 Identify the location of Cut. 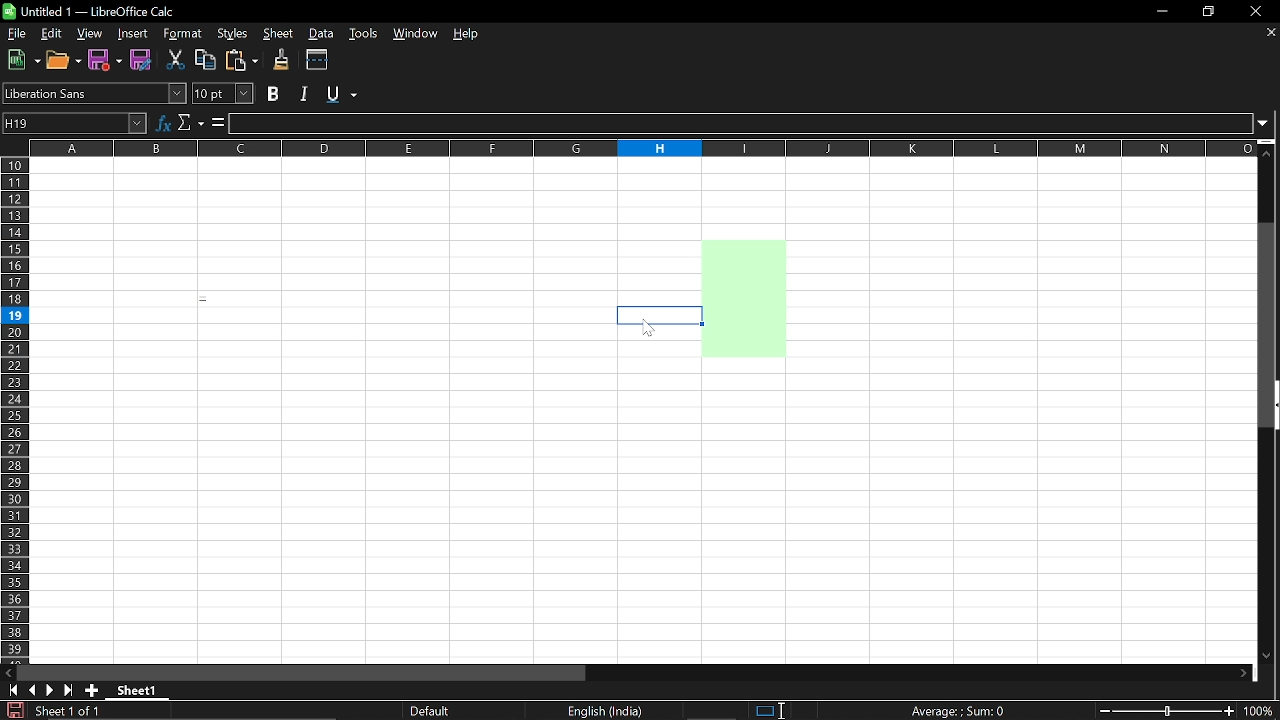
(176, 62).